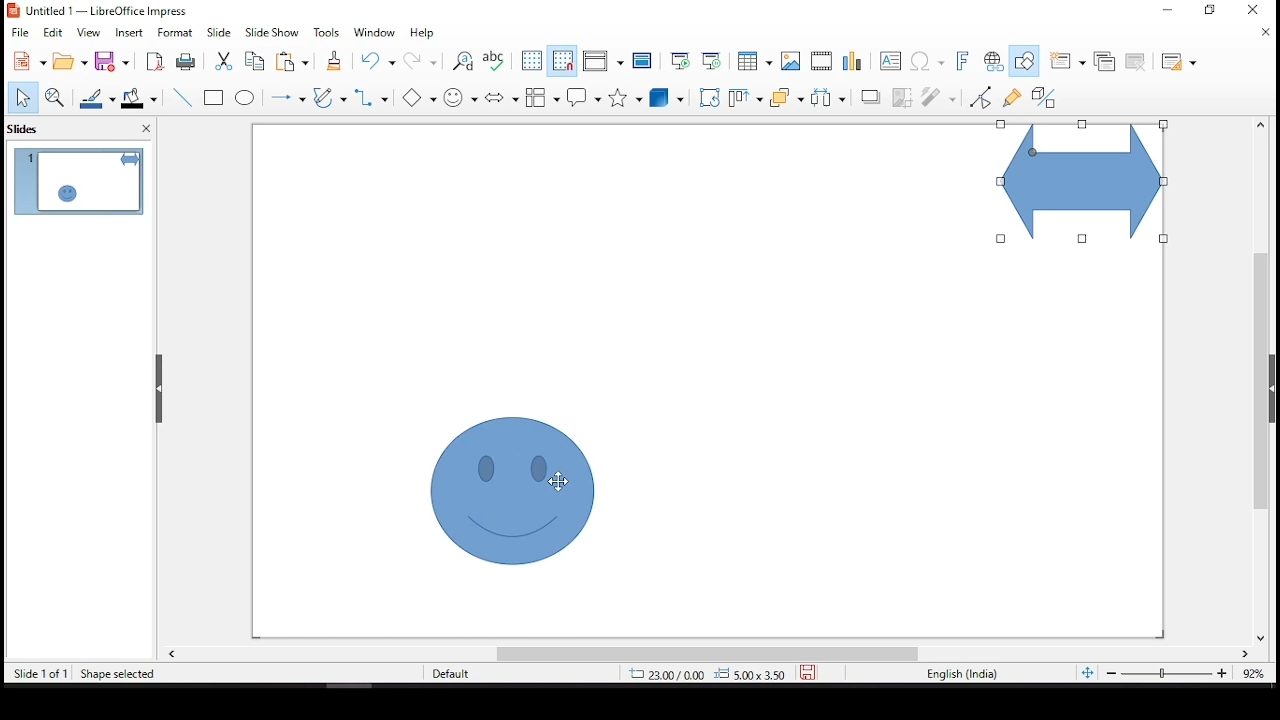  Describe the element at coordinates (90, 33) in the screenshot. I see `view` at that location.